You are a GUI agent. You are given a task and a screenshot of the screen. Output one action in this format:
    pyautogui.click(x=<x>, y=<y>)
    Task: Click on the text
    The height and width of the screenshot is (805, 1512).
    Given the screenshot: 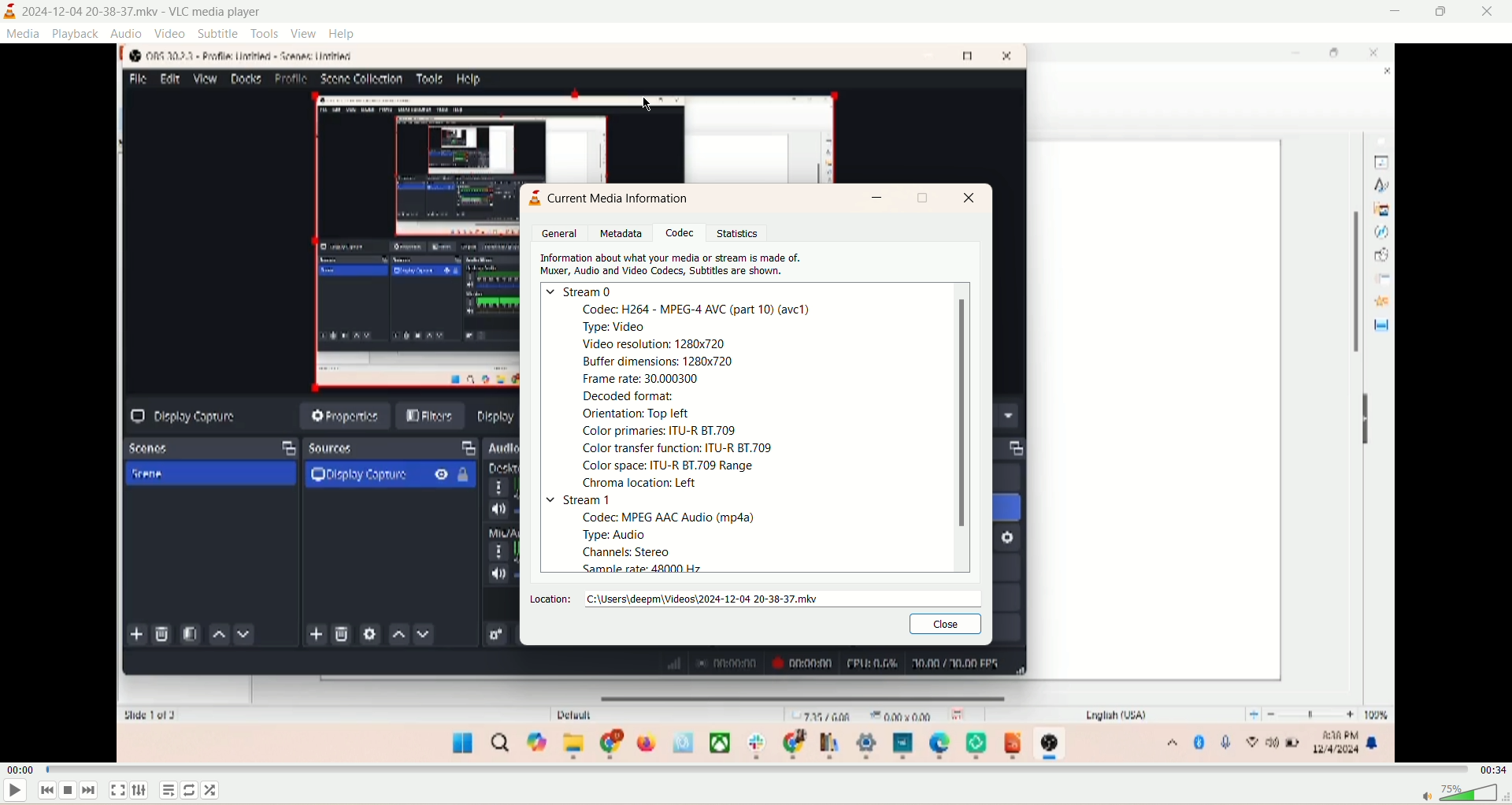 What is the action you would take?
    pyautogui.click(x=670, y=543)
    